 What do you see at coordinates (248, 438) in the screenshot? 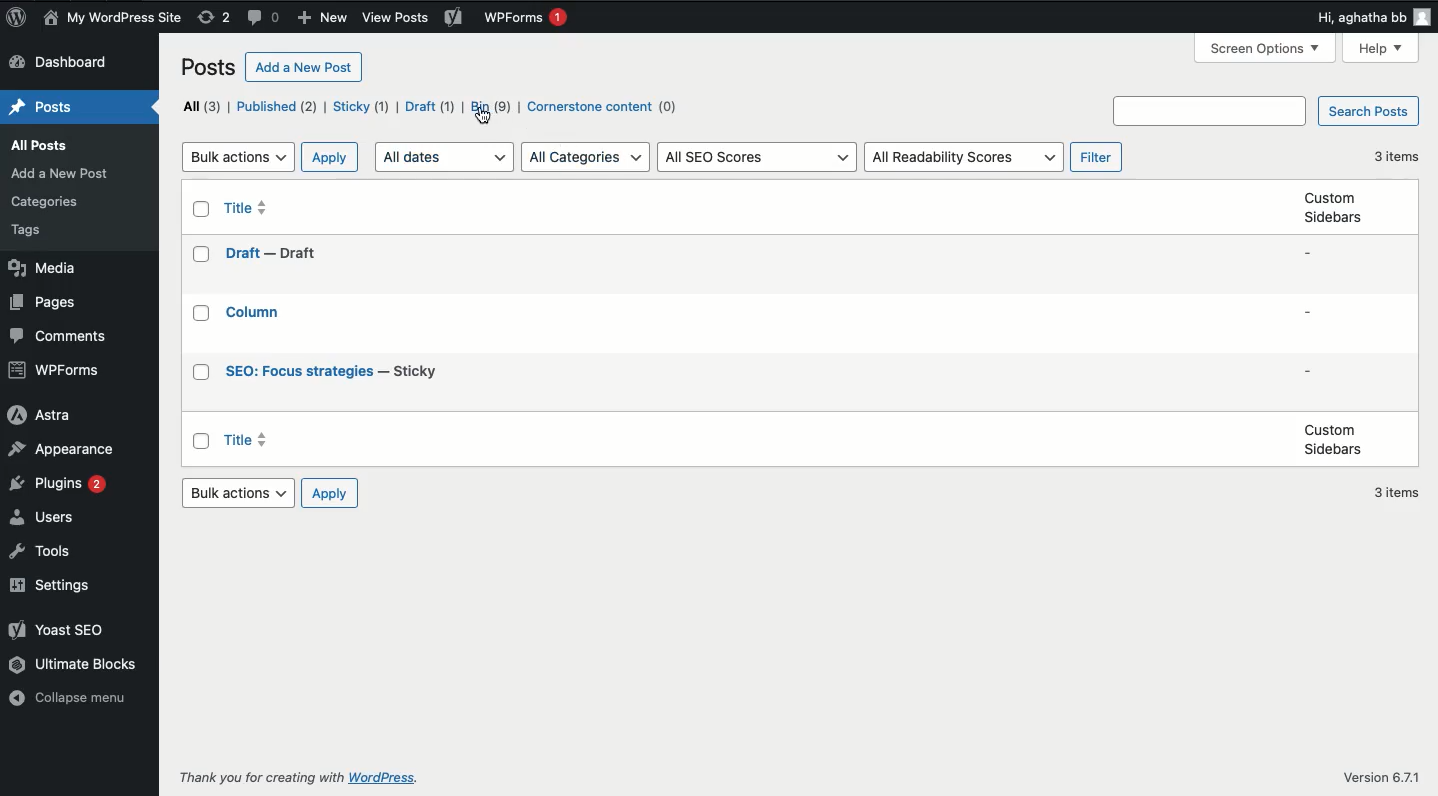
I see `Title` at bounding box center [248, 438].